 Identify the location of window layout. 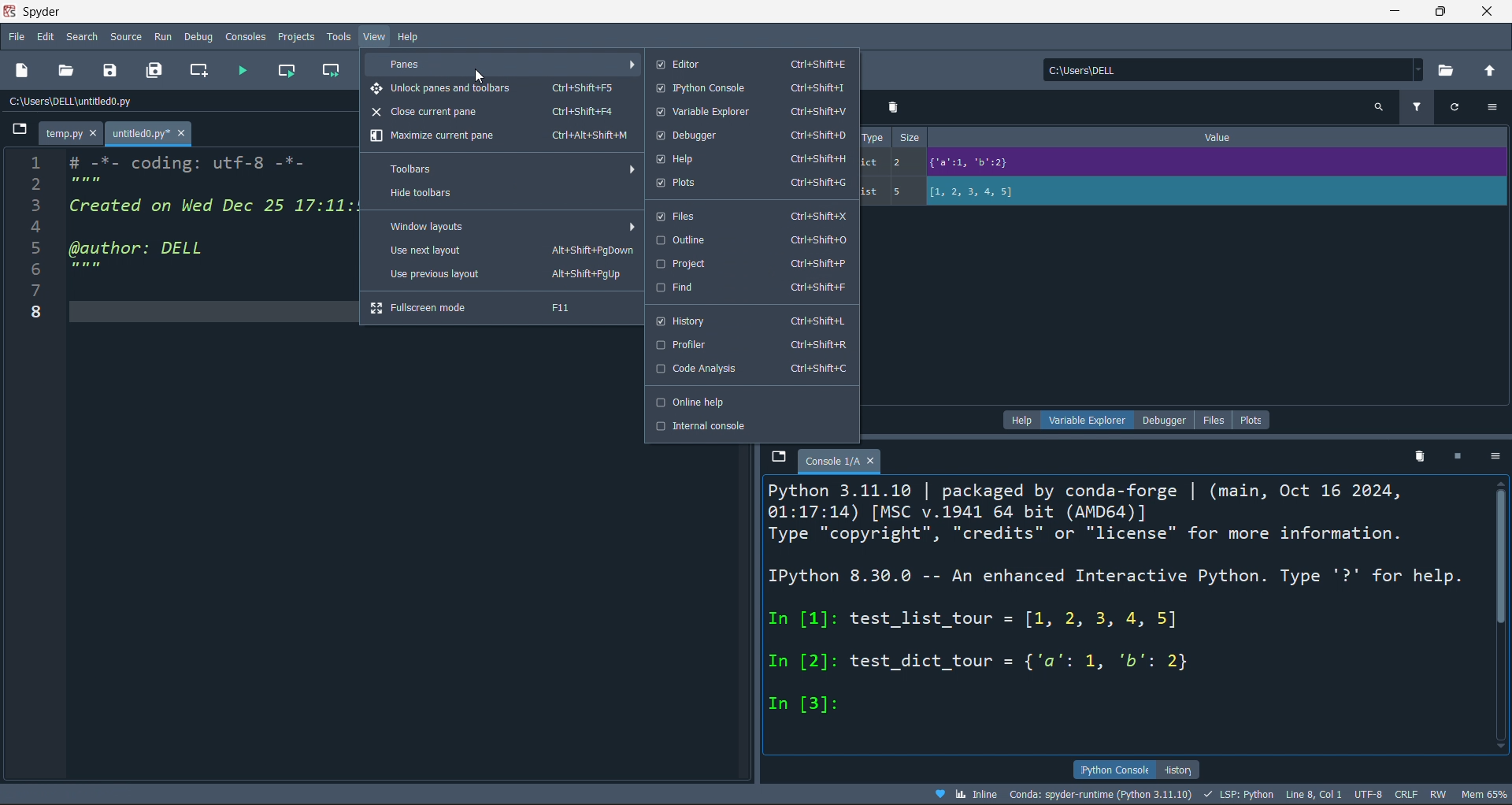
(502, 225).